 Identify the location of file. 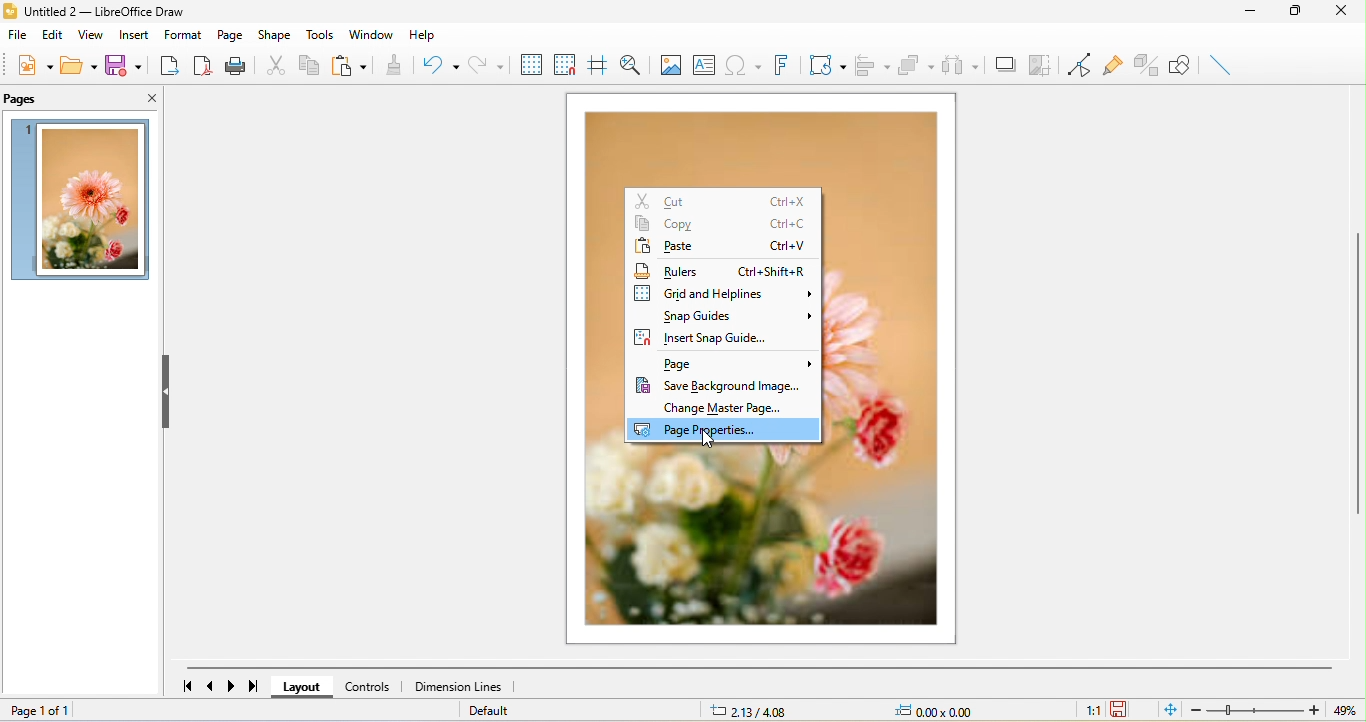
(19, 35).